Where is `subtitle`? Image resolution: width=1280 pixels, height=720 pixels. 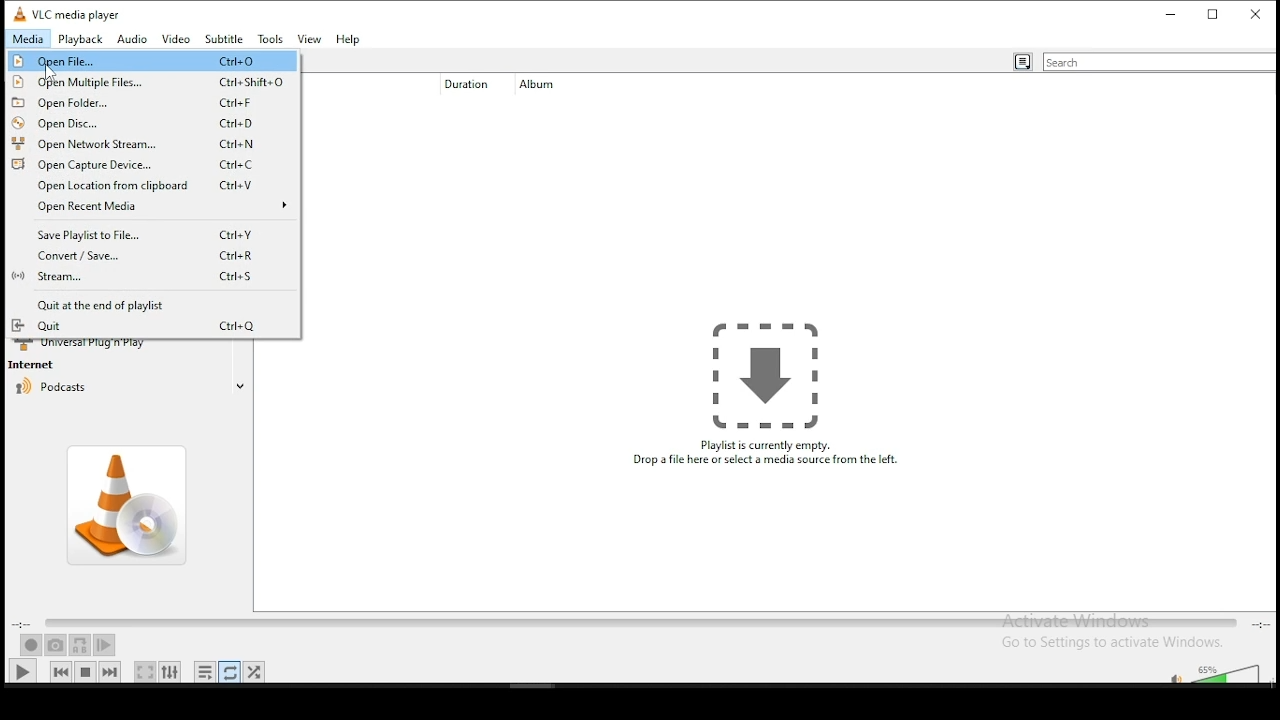
subtitle is located at coordinates (224, 38).